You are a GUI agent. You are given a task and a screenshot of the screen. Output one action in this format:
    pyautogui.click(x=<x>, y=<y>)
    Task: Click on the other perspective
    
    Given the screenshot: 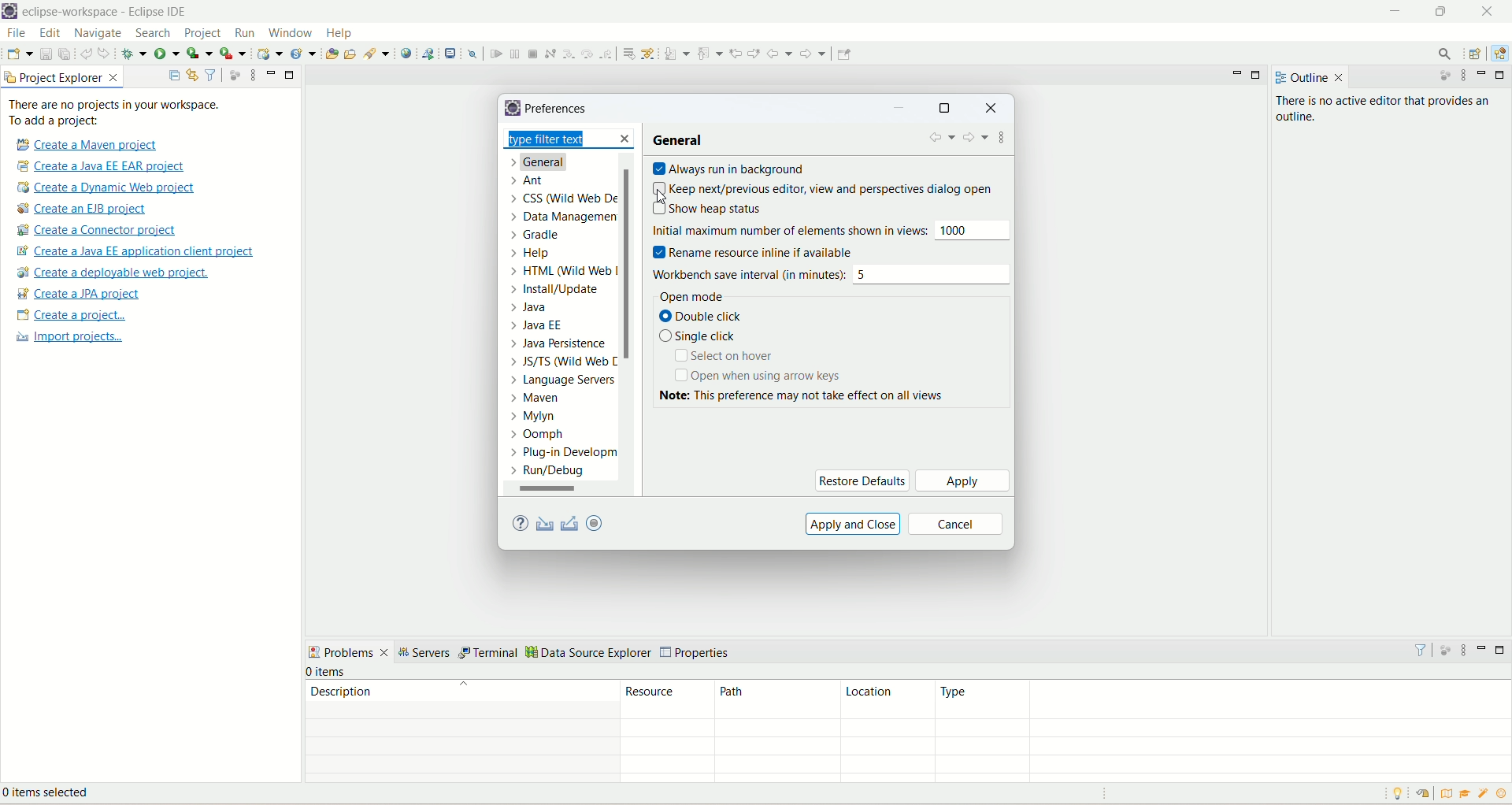 What is the action you would take?
    pyautogui.click(x=1477, y=54)
    